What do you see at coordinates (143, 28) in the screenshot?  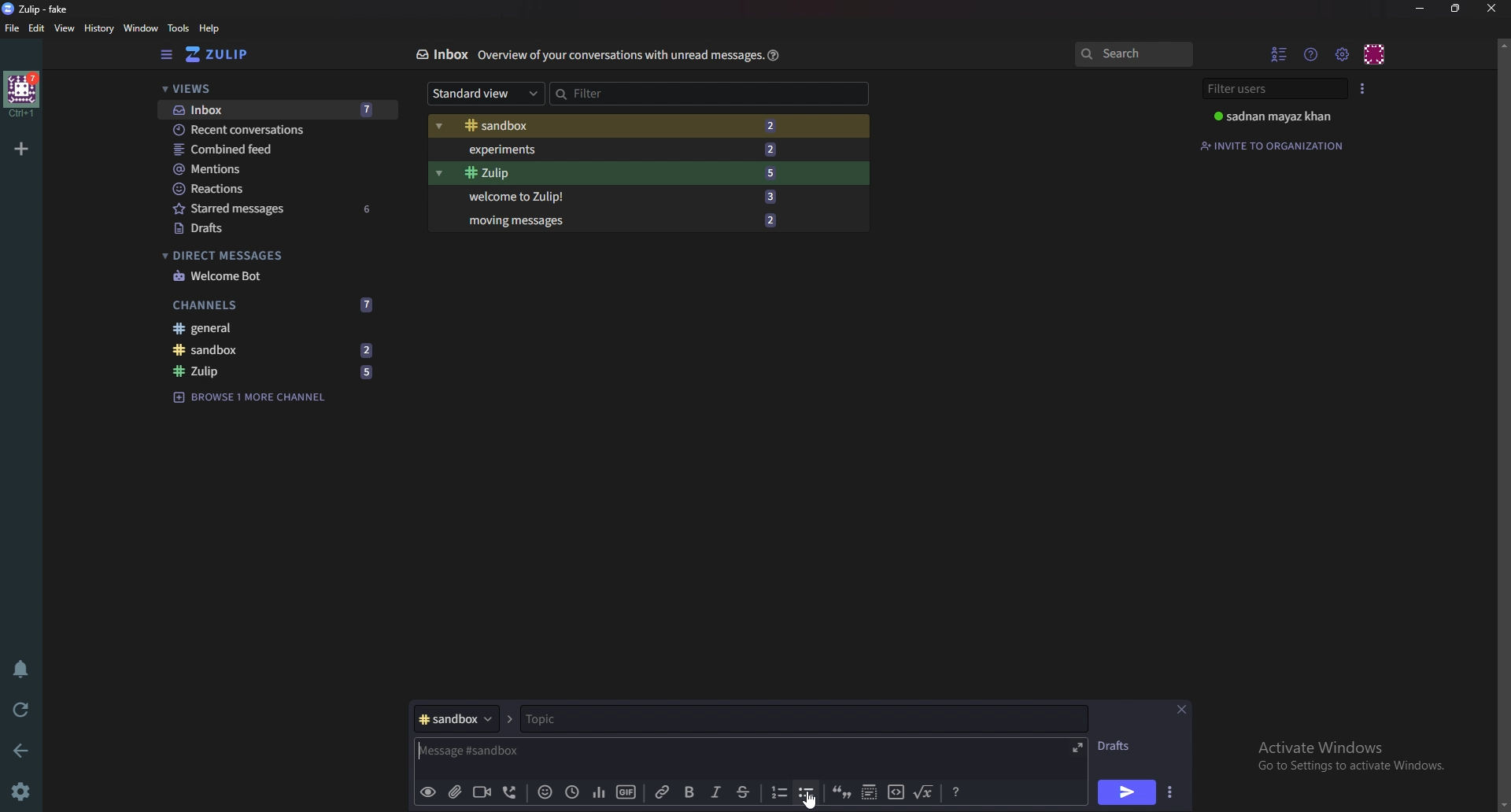 I see `Window` at bounding box center [143, 28].